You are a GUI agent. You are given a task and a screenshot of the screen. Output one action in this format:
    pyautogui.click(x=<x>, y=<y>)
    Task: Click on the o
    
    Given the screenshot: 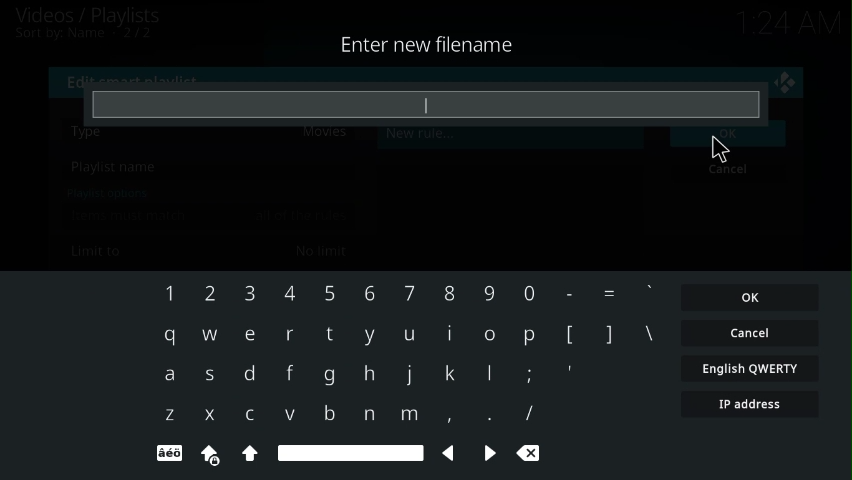 What is the action you would take?
    pyautogui.click(x=491, y=335)
    